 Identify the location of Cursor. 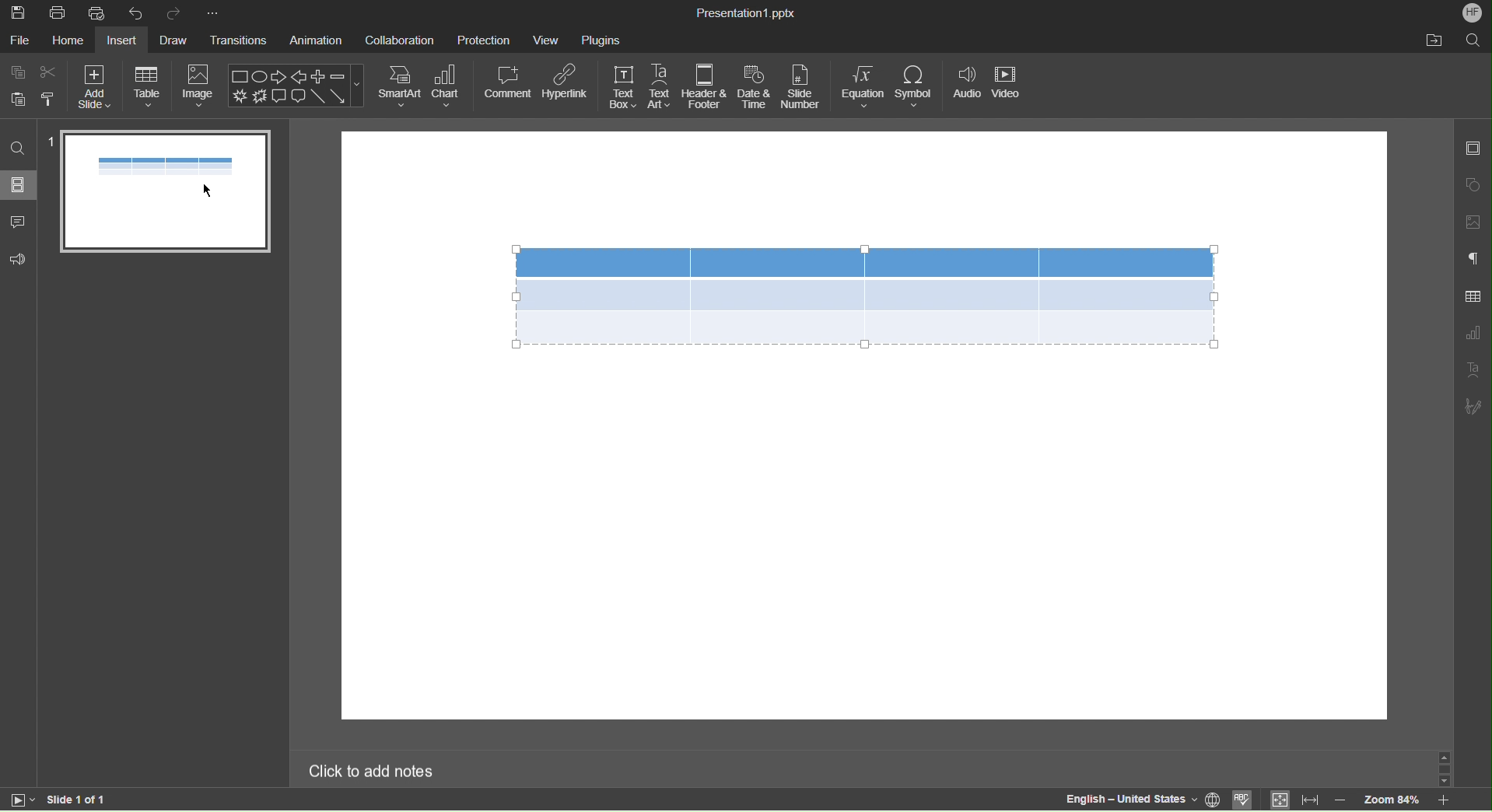
(208, 193).